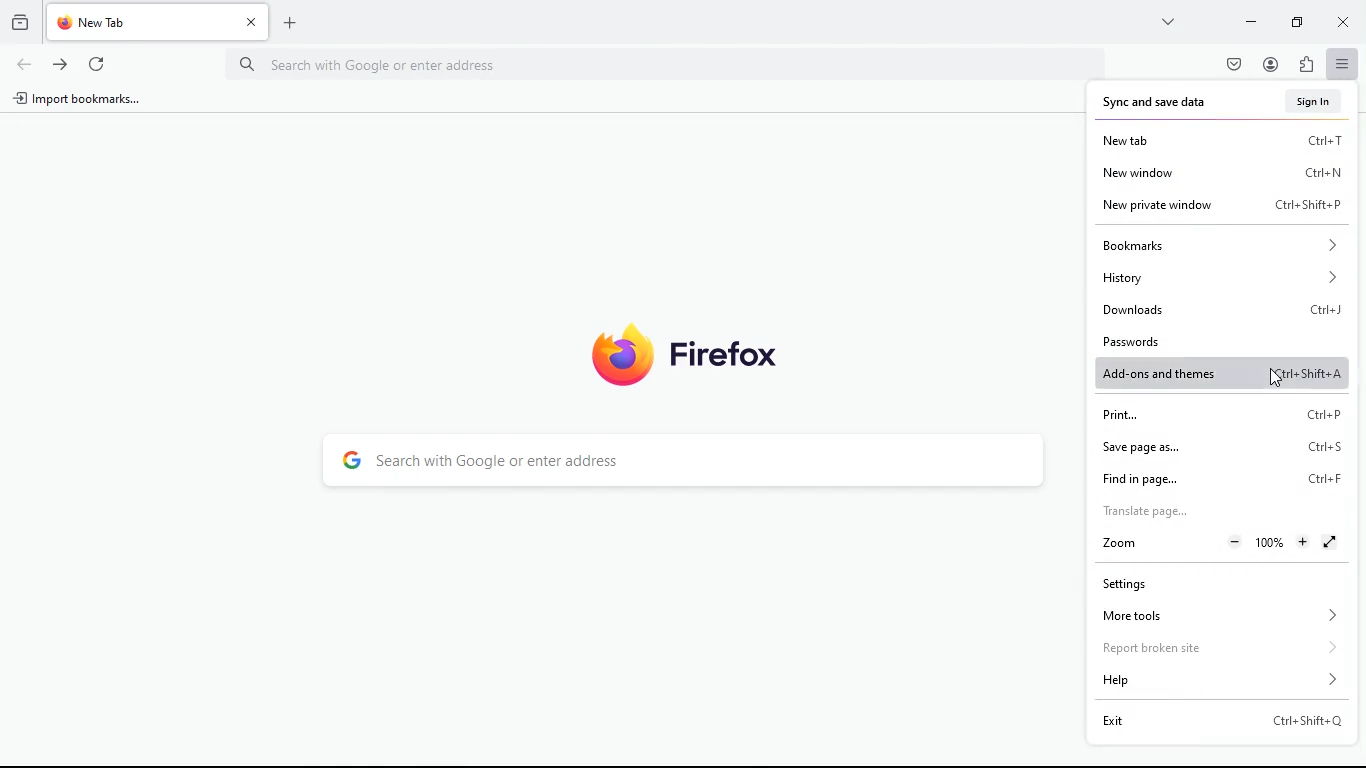  I want to click on new tab, so click(1222, 140).